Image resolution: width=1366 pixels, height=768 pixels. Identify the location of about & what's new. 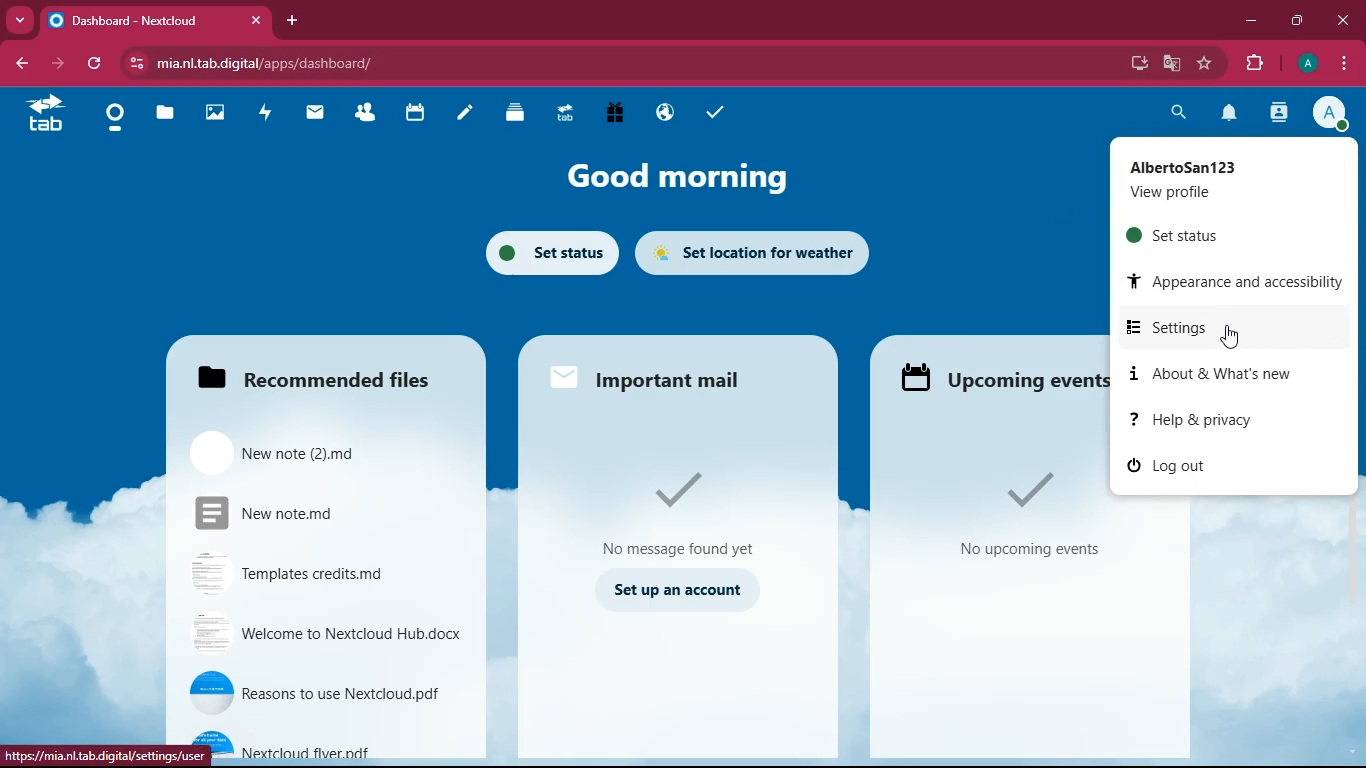
(1229, 372).